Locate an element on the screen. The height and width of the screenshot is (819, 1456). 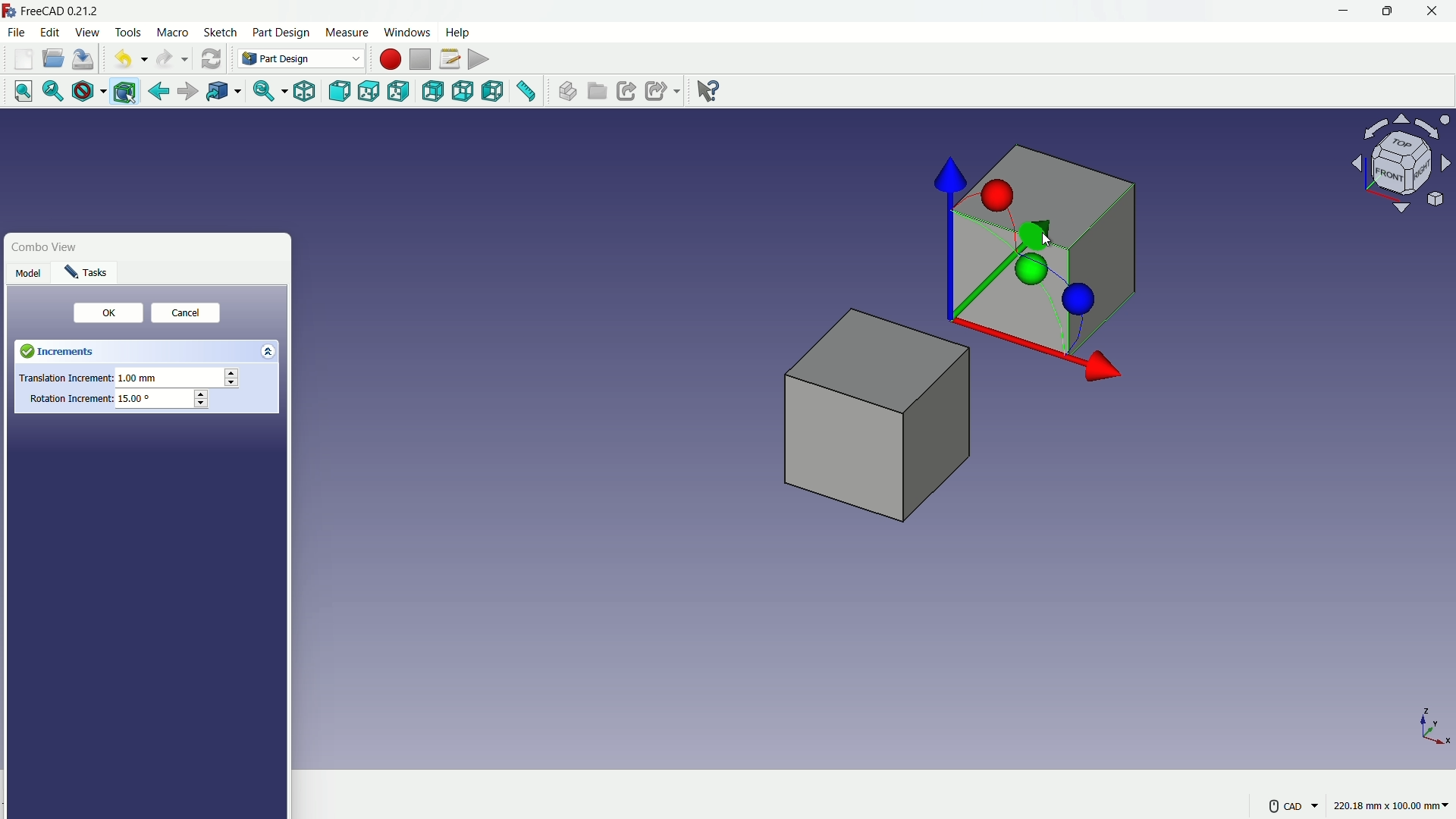
ok is located at coordinates (103, 314).